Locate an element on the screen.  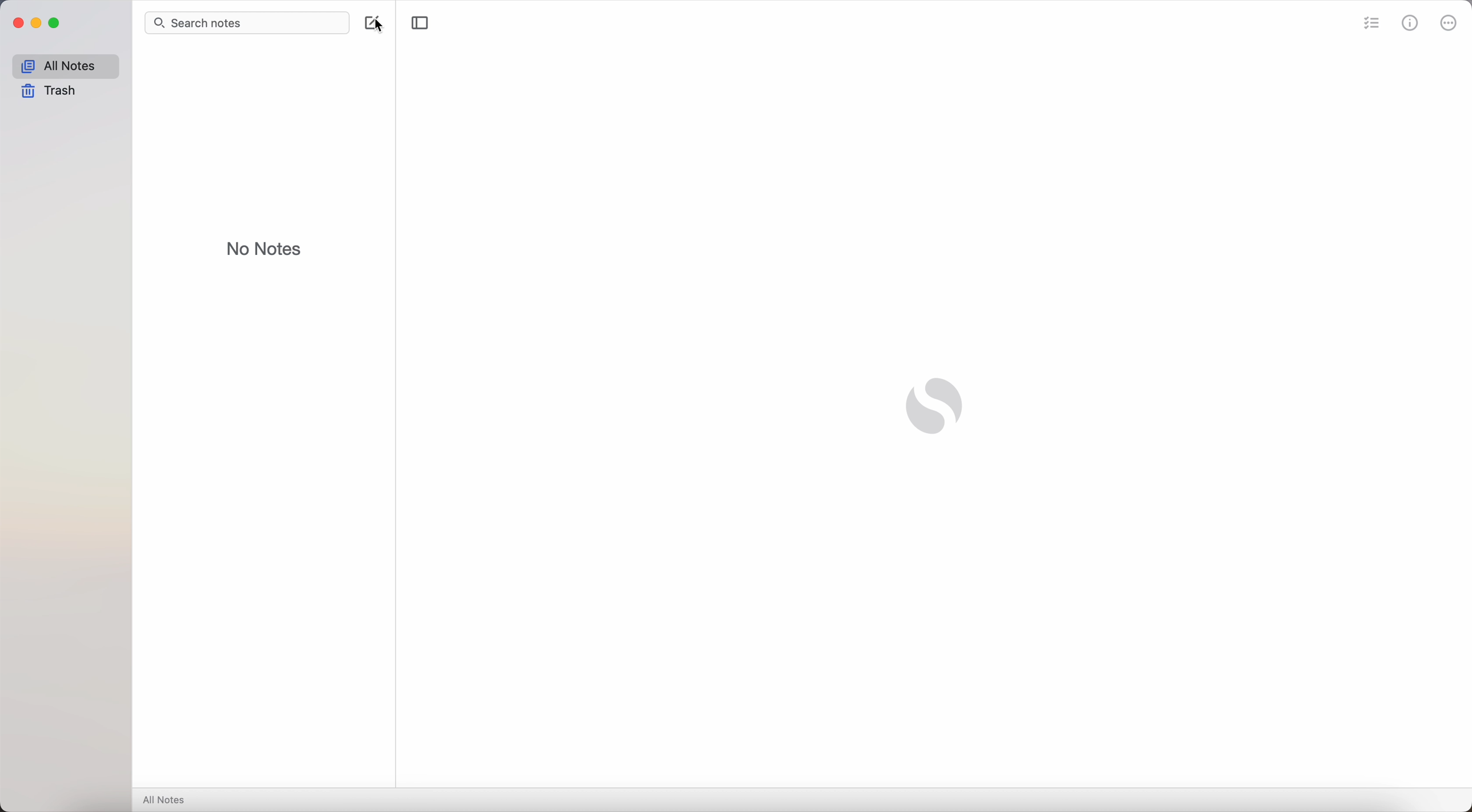
all notes is located at coordinates (63, 65).